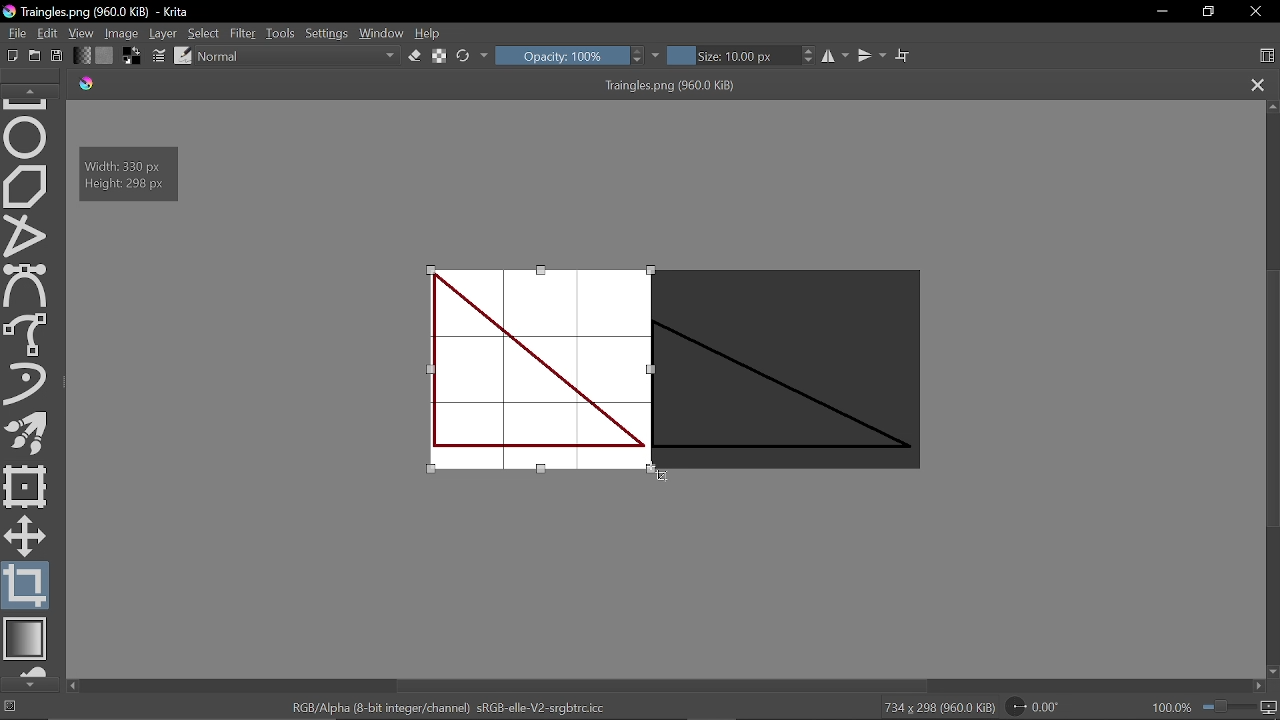 The image size is (1280, 720). Describe the element at coordinates (671, 473) in the screenshot. I see `Cursor` at that location.